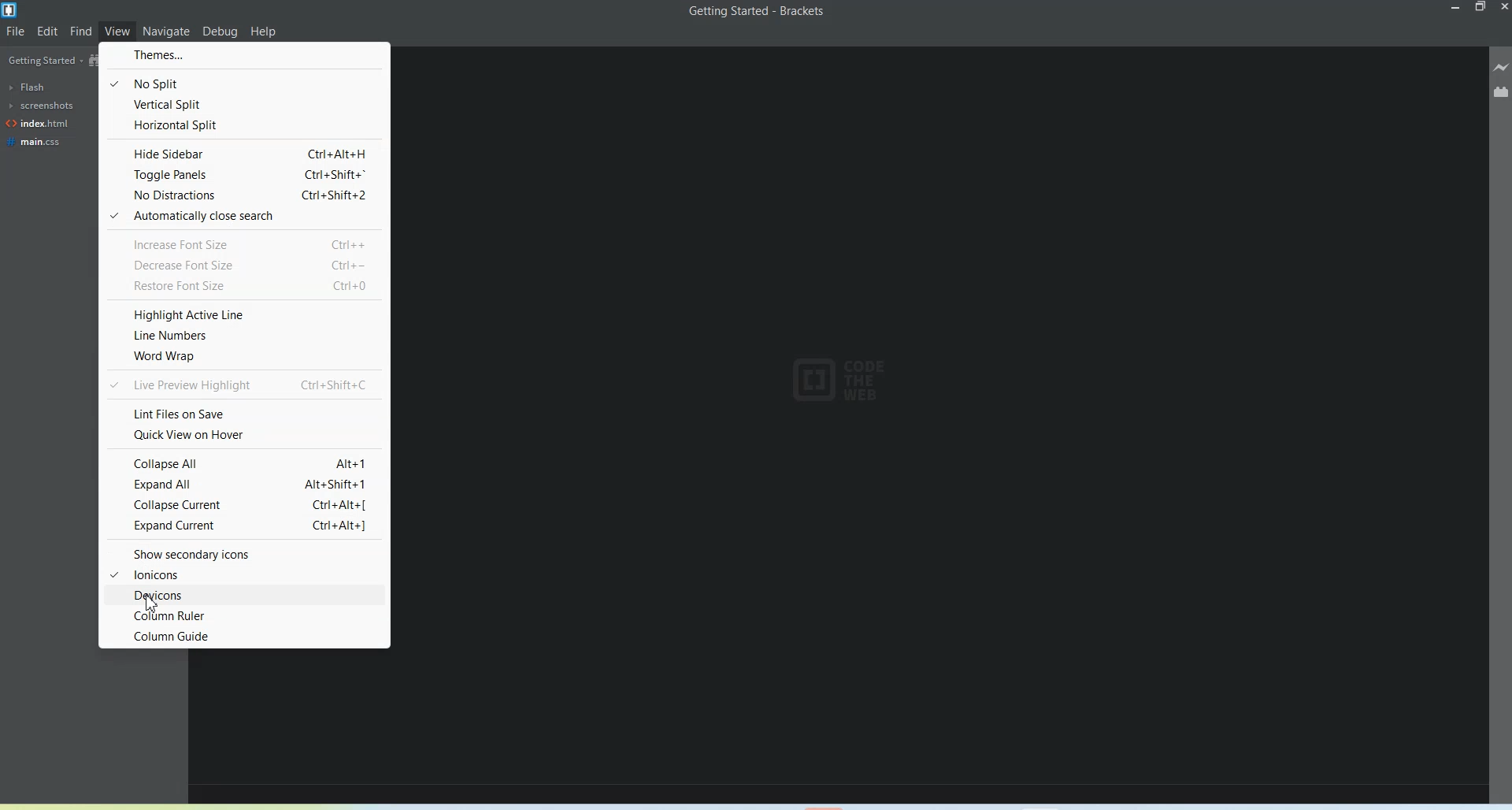 This screenshot has height=810, width=1512. I want to click on Vertical split, so click(243, 104).